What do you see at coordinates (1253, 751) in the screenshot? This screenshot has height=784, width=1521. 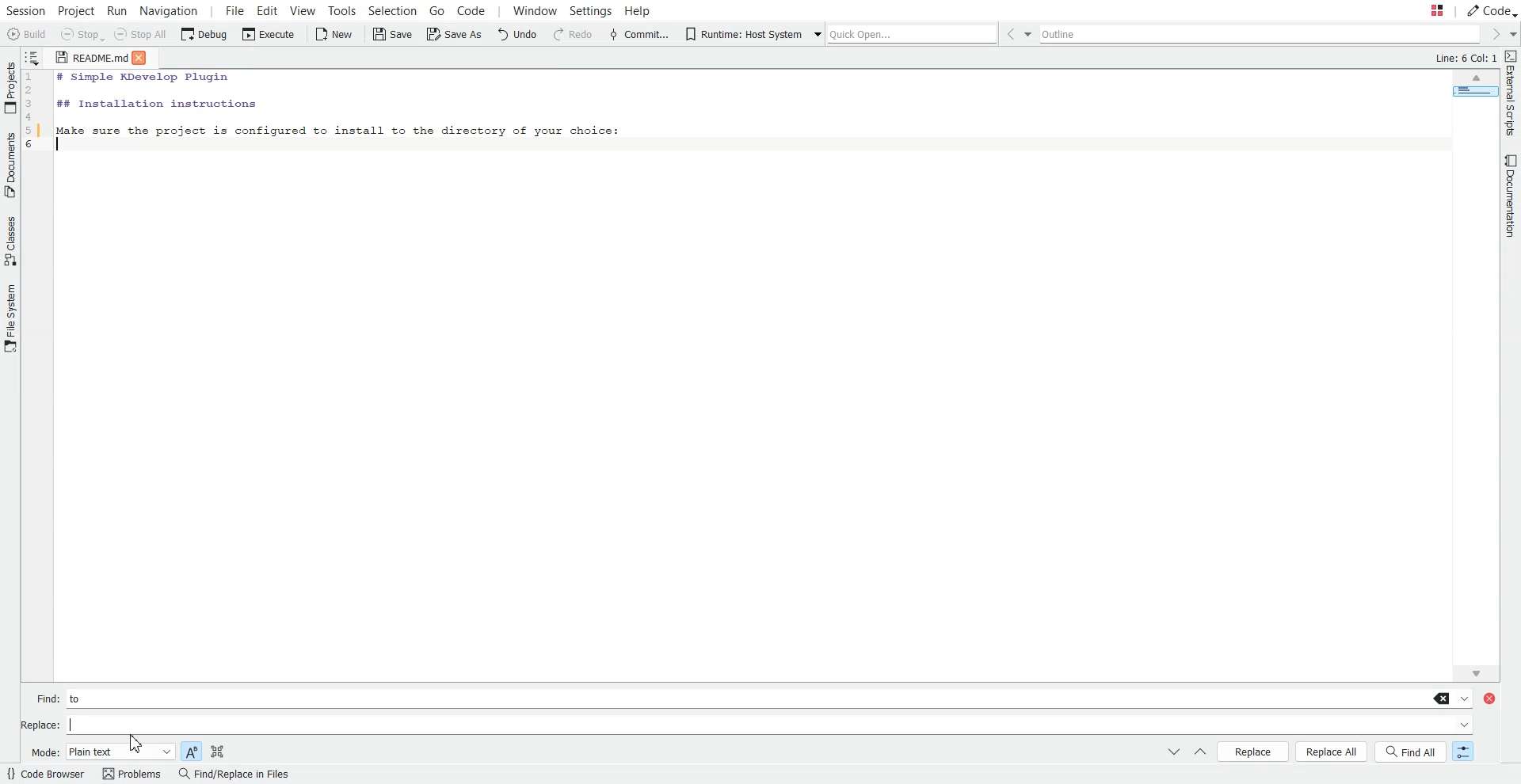 I see `Replace` at bounding box center [1253, 751].